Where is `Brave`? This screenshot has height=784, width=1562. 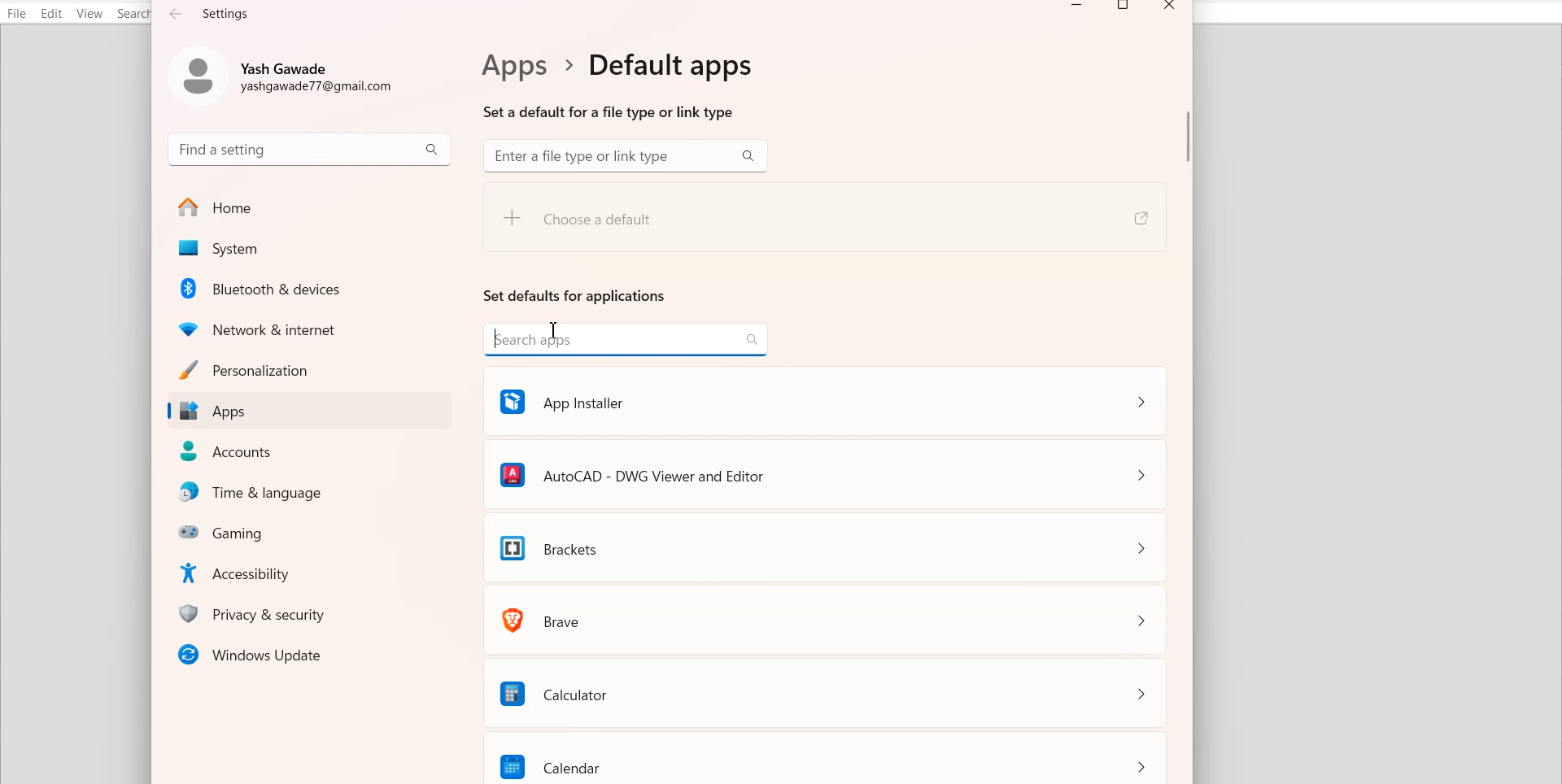 Brave is located at coordinates (827, 618).